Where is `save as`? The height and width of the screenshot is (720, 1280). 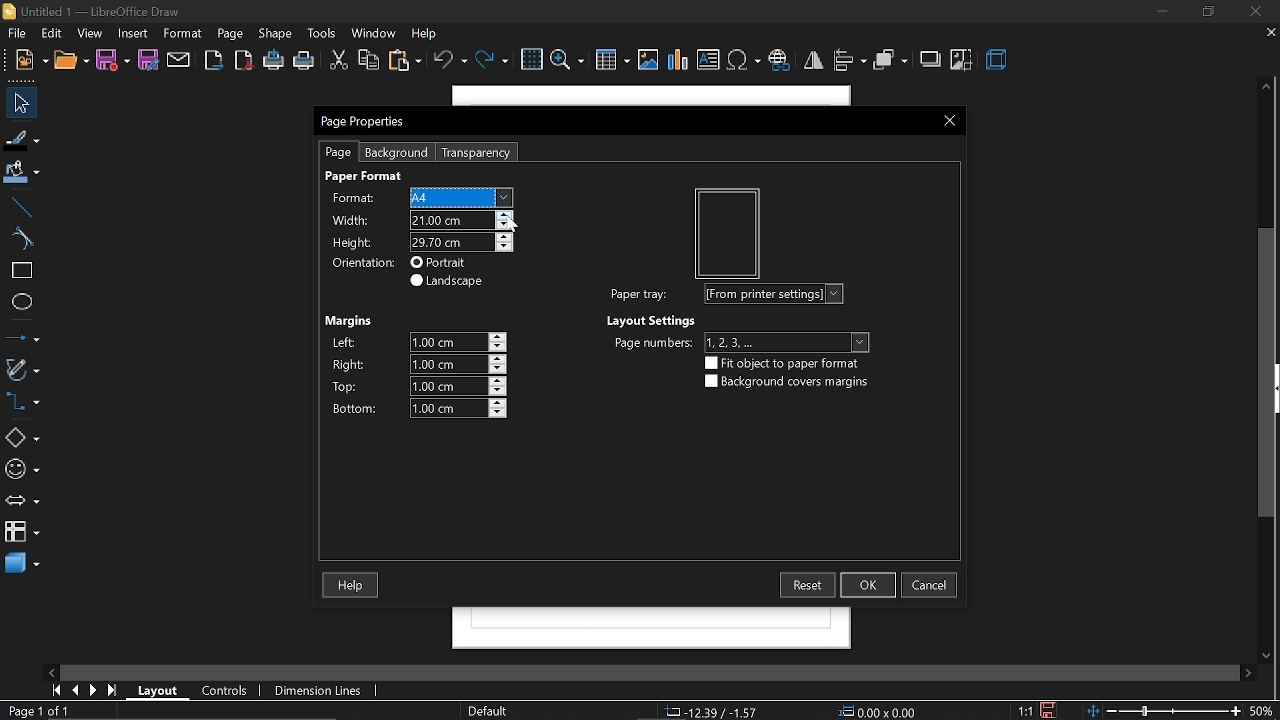 save as is located at coordinates (150, 59).